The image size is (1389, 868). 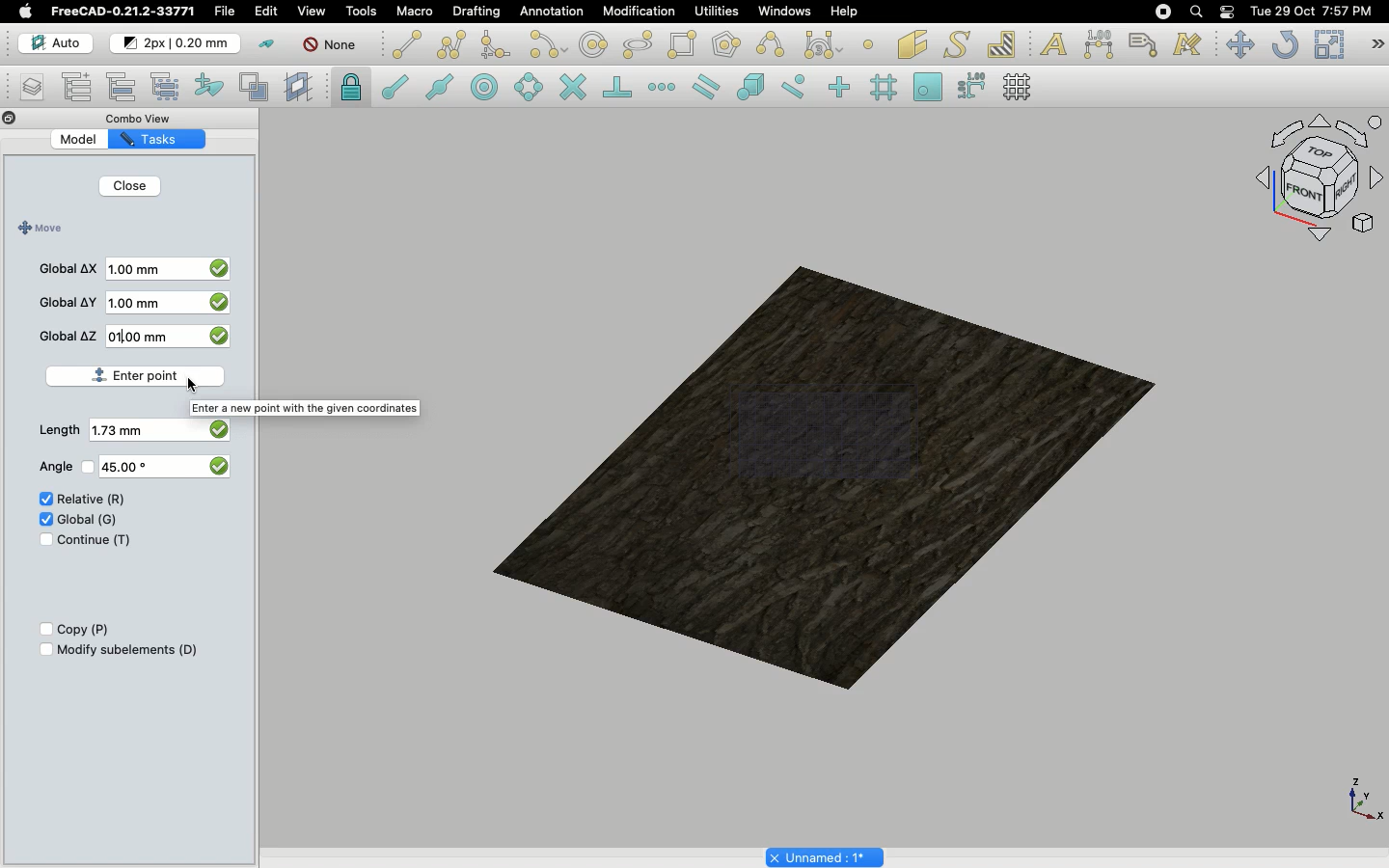 What do you see at coordinates (85, 630) in the screenshot?
I see `Copy` at bounding box center [85, 630].